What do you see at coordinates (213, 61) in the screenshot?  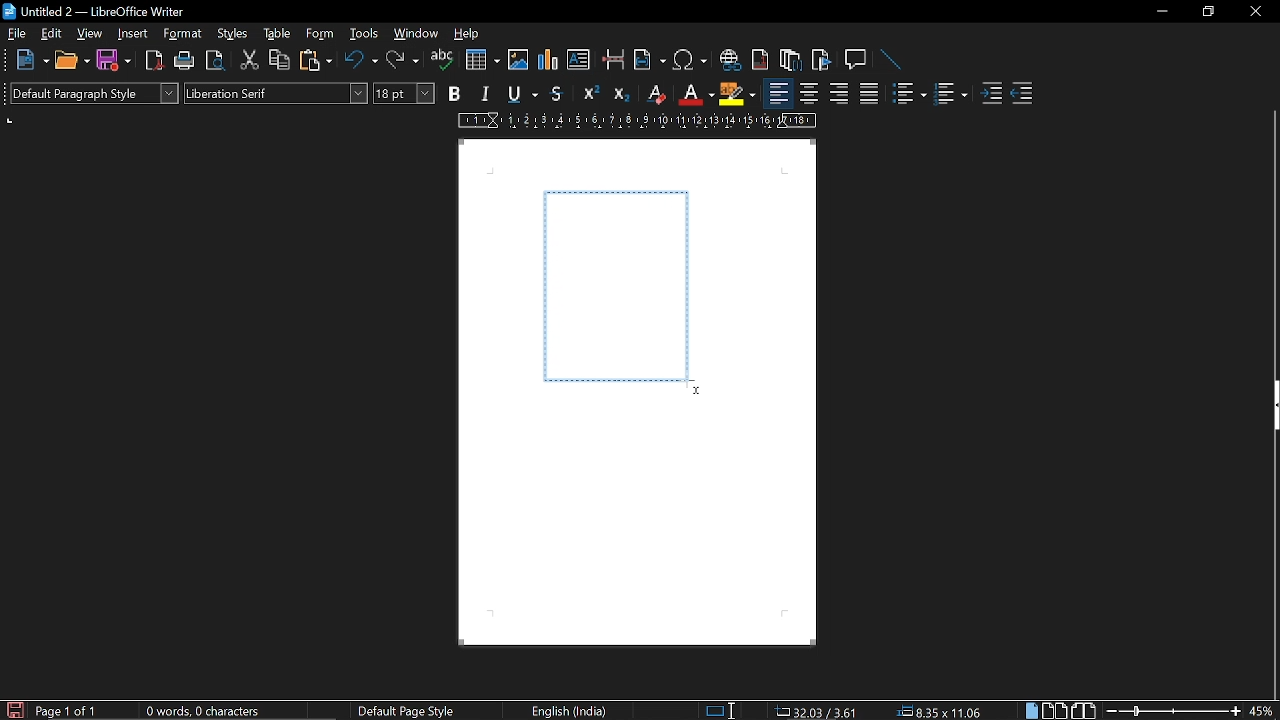 I see `toggle print preview` at bounding box center [213, 61].